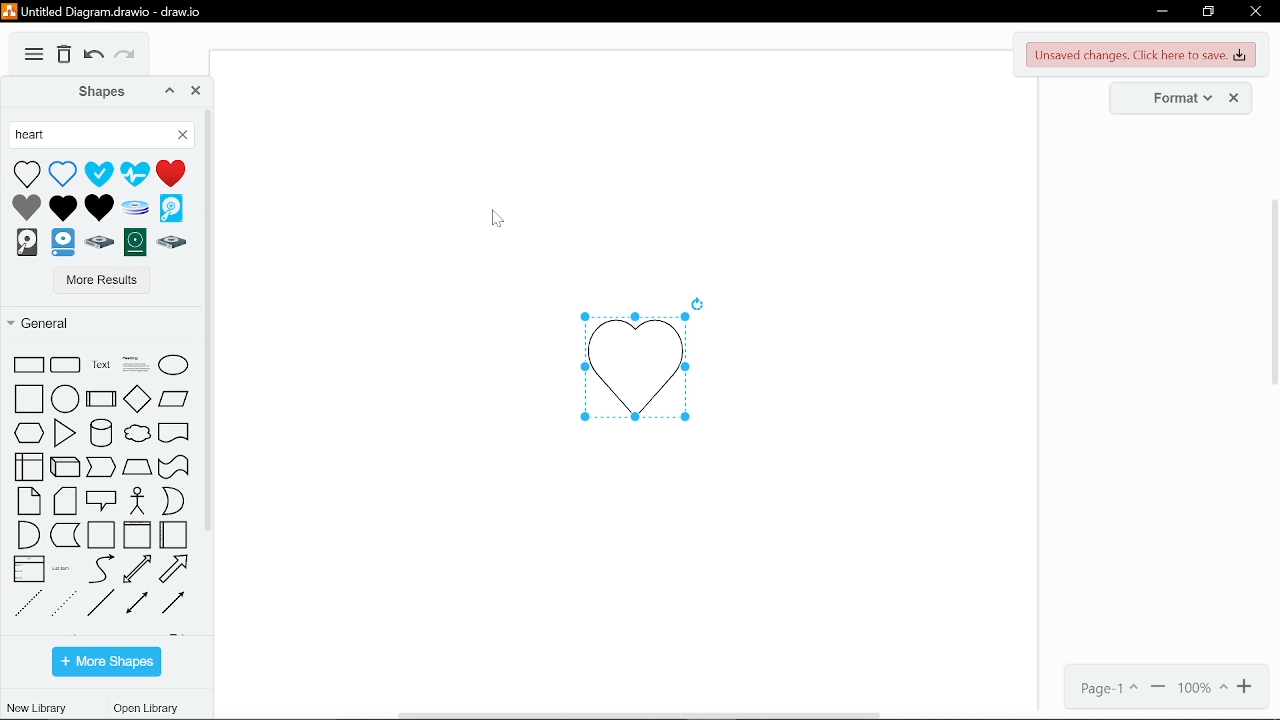  I want to click on cylinder, so click(99, 435).